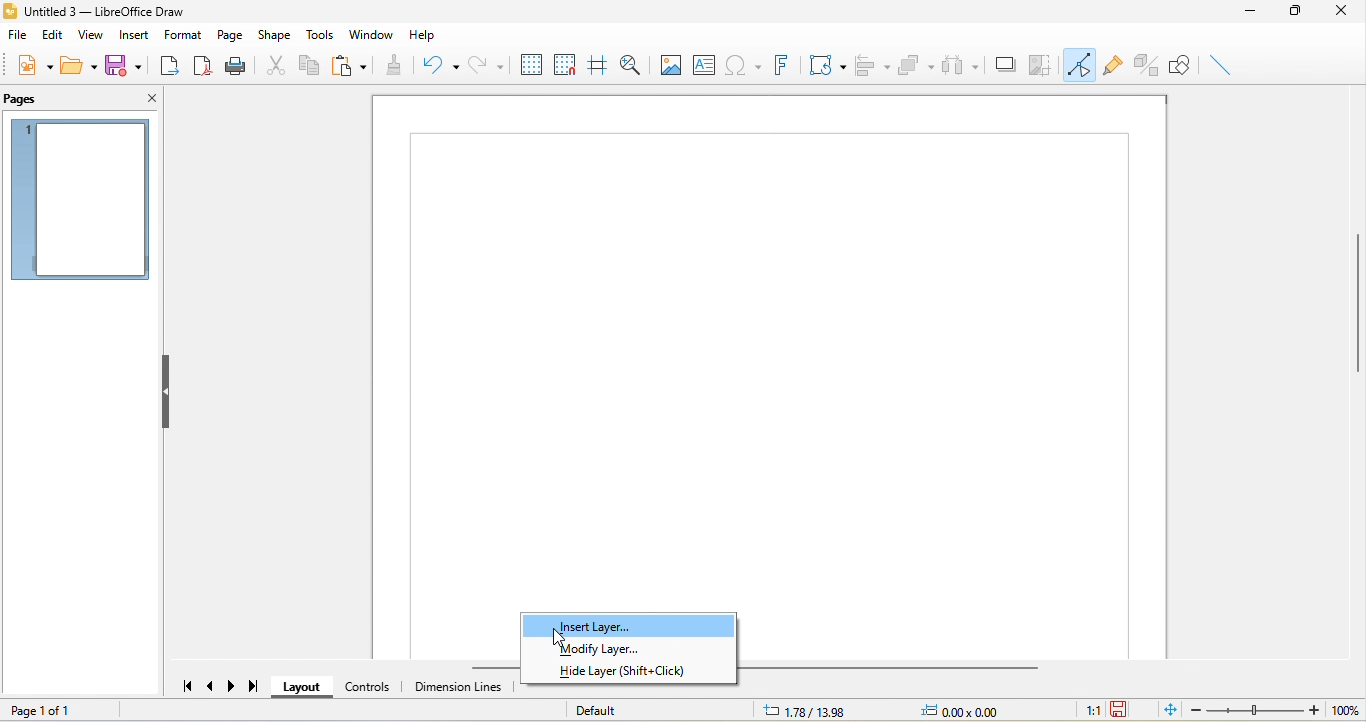  Describe the element at coordinates (85, 201) in the screenshot. I see `page 1` at that location.